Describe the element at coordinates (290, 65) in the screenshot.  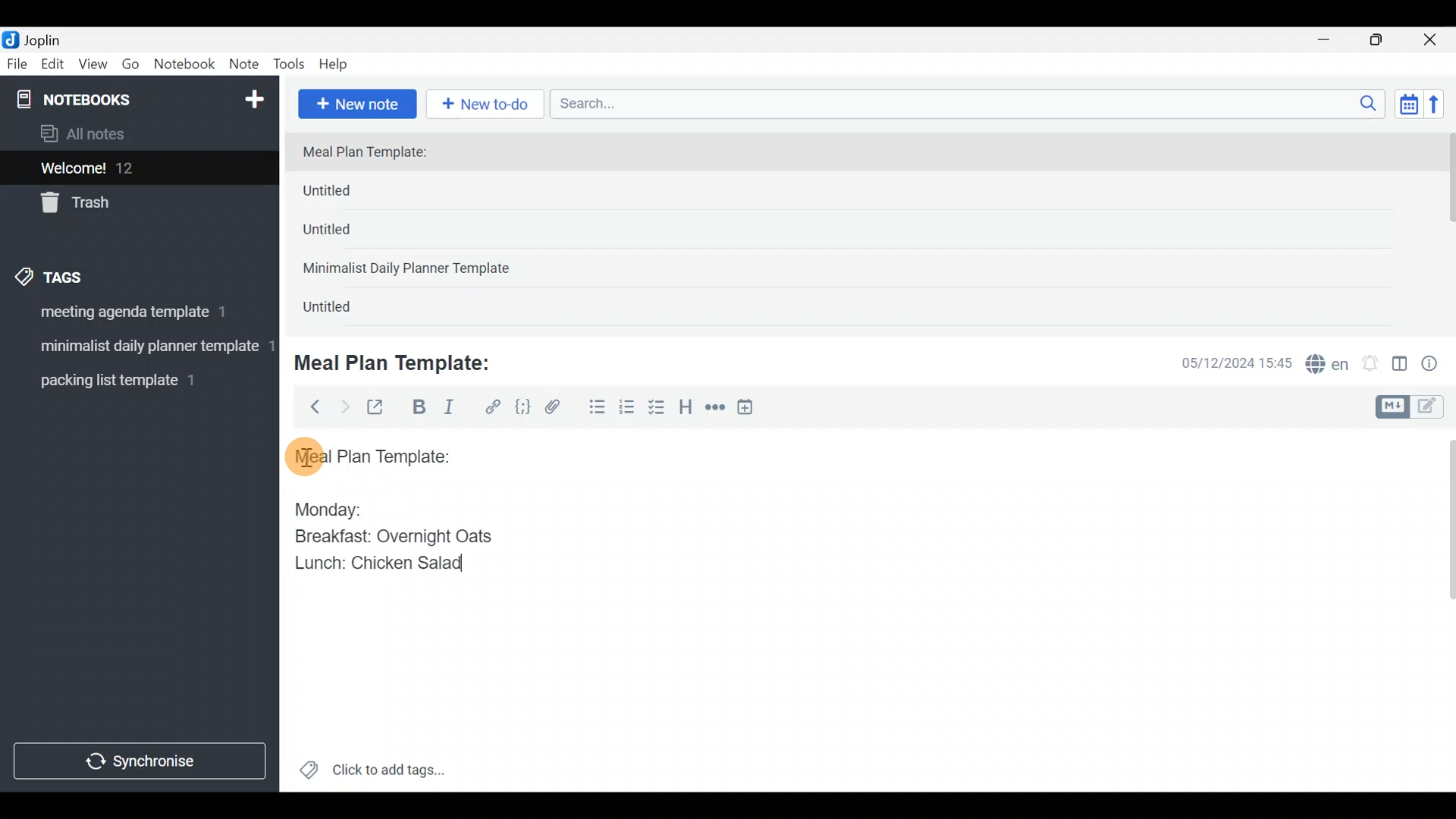
I see `Tools` at that location.